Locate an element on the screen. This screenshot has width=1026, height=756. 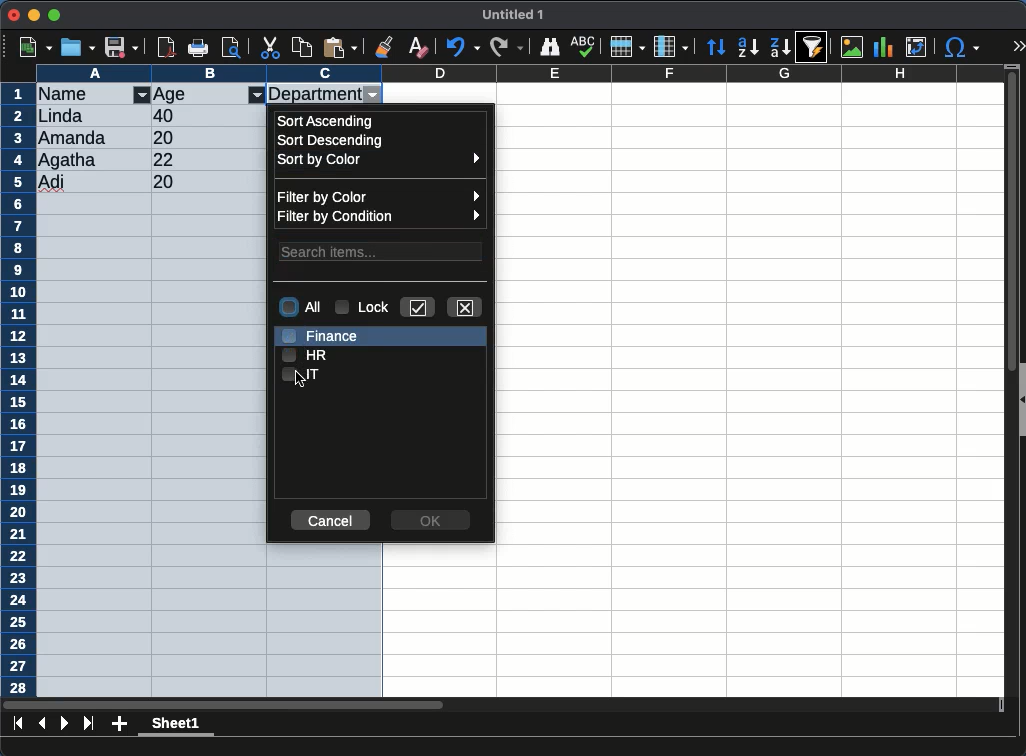
rows is located at coordinates (626, 47).